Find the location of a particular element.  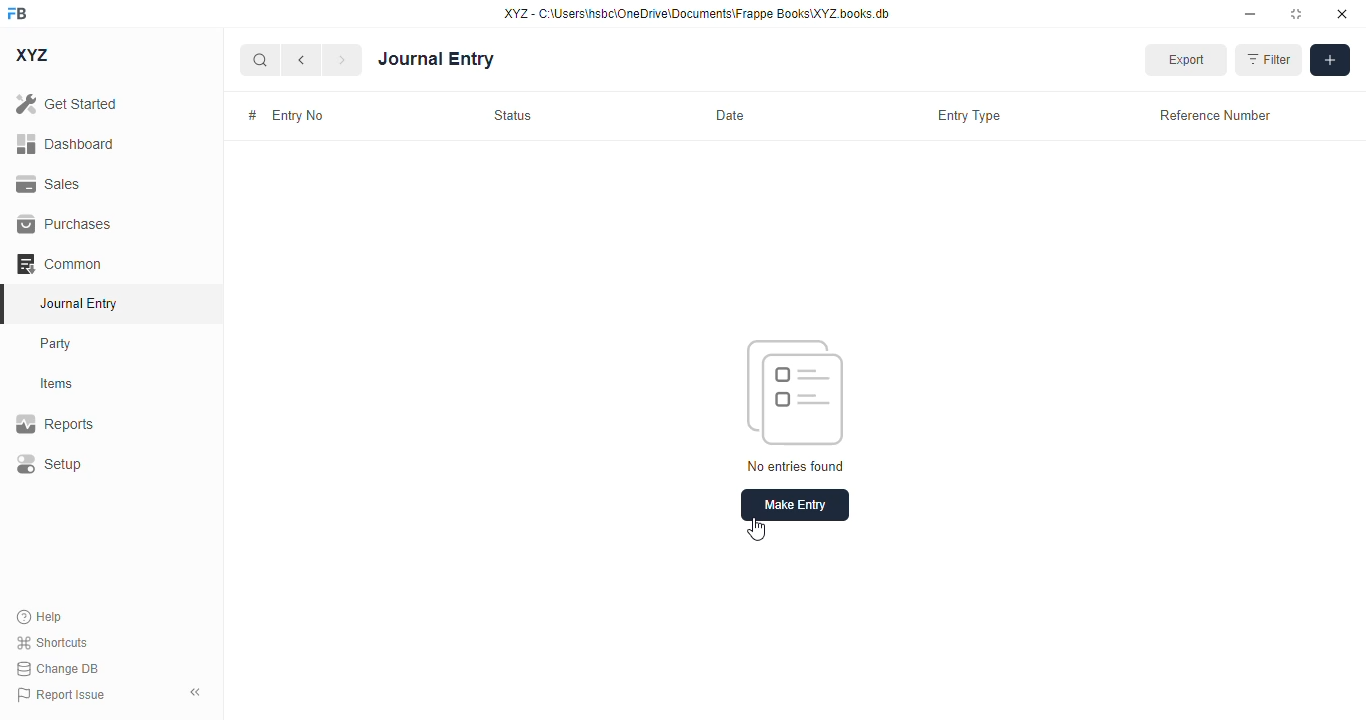

party is located at coordinates (56, 344).